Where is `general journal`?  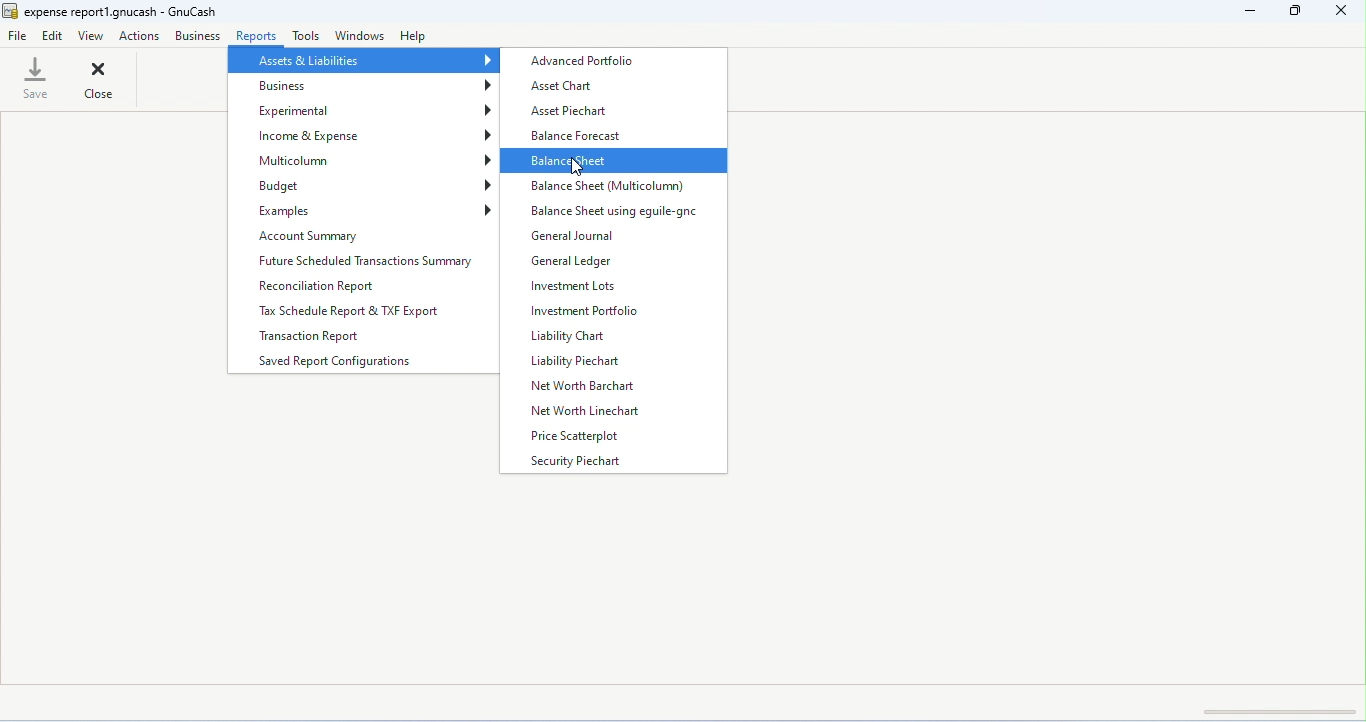
general journal is located at coordinates (574, 238).